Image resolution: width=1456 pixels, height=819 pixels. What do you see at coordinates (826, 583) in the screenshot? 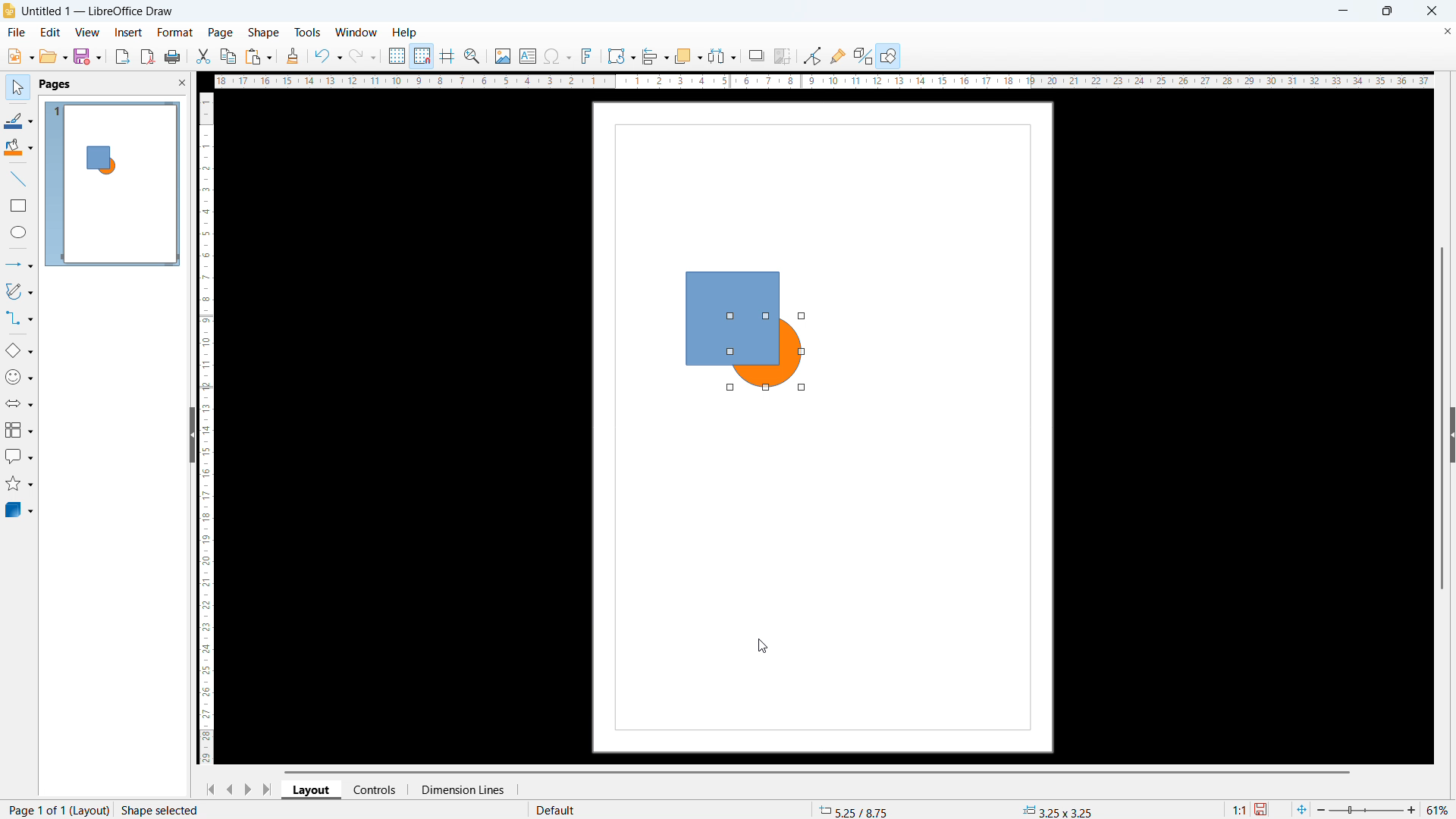
I see `page ` at bounding box center [826, 583].